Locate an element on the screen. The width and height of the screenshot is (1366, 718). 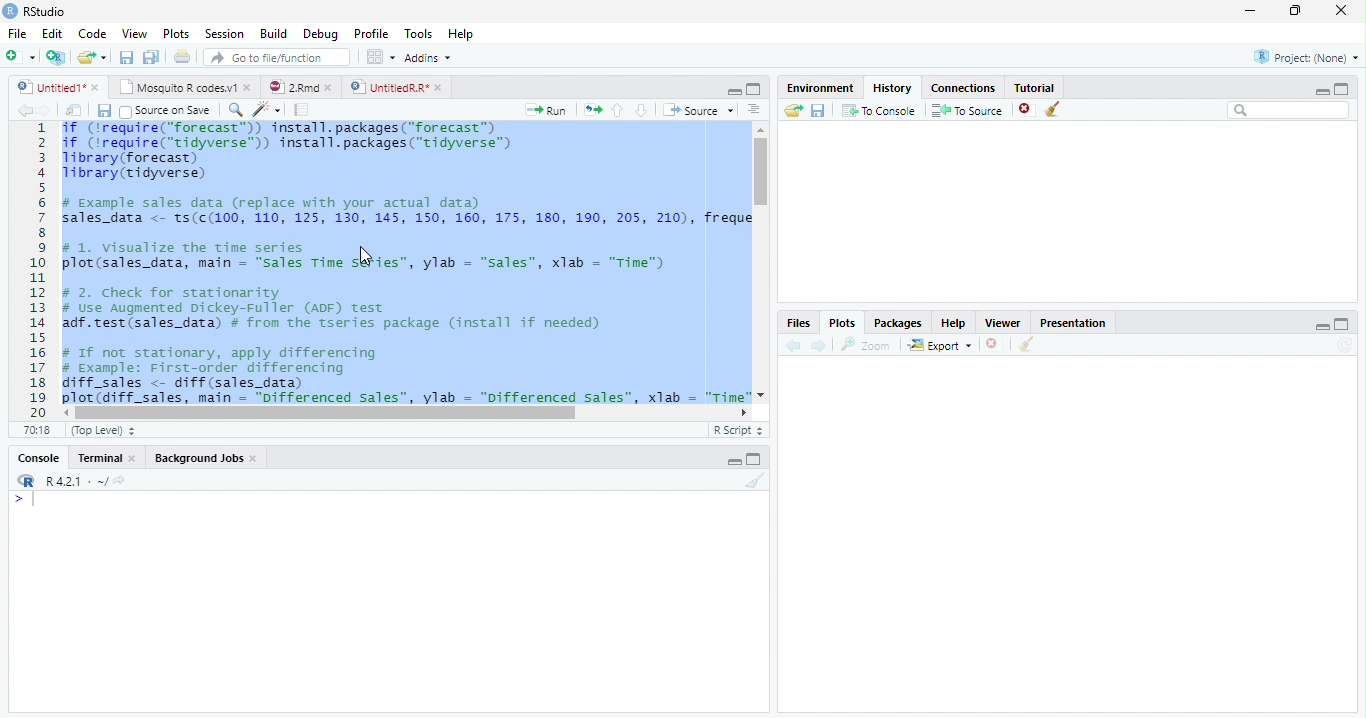
Re-run is located at coordinates (591, 110).